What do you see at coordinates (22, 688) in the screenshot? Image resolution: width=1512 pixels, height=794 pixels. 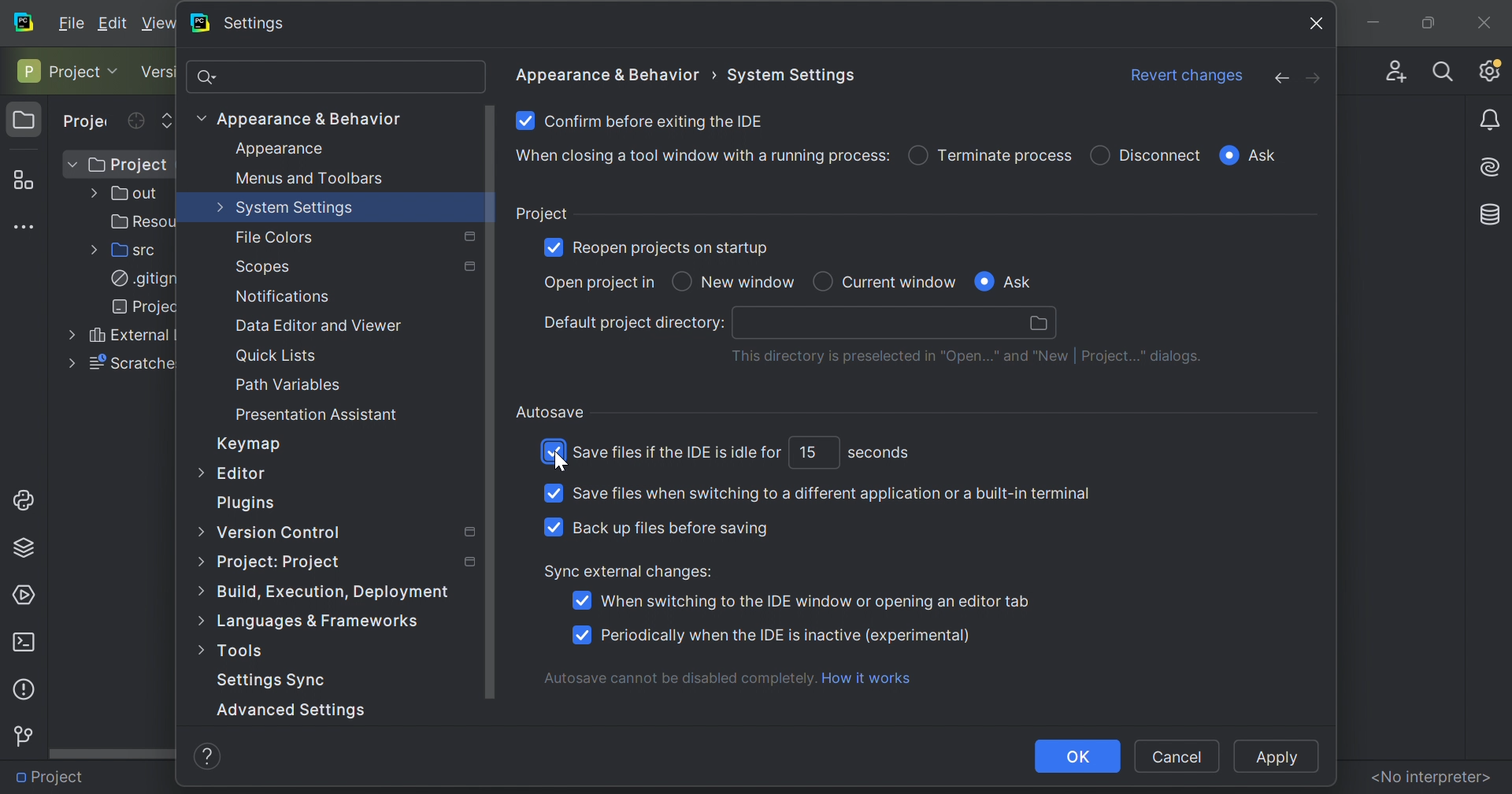 I see `Problems` at bounding box center [22, 688].